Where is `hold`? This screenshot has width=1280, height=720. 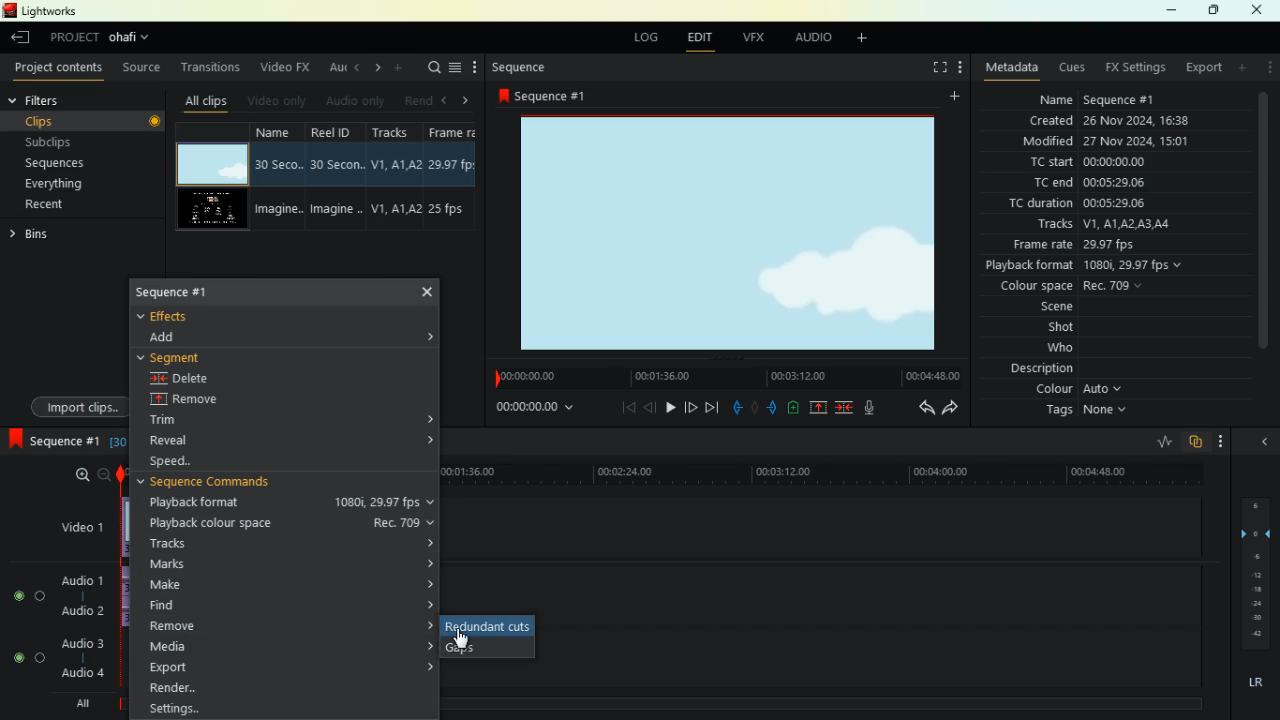
hold is located at coordinates (755, 406).